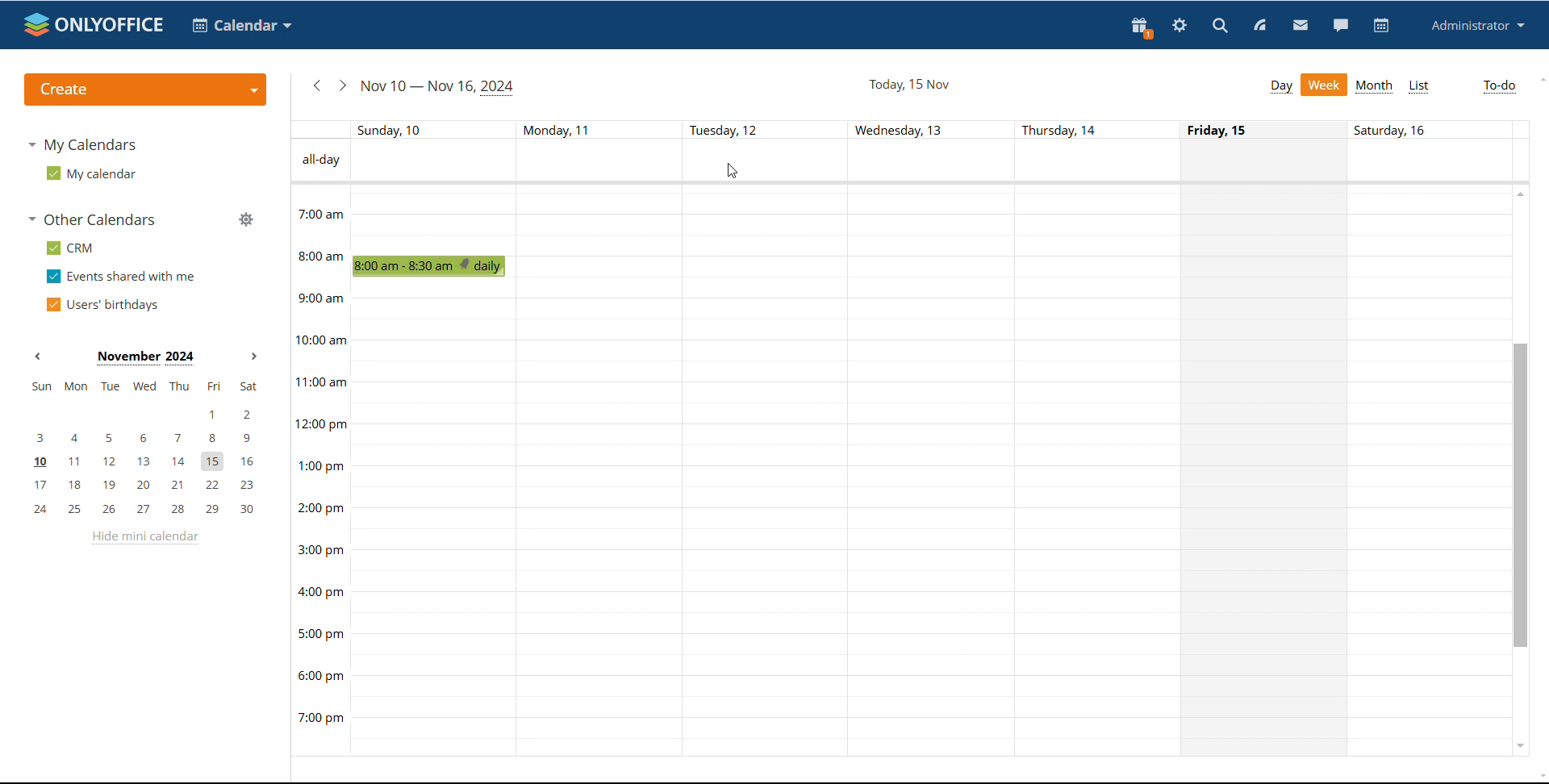 Image resolution: width=1549 pixels, height=784 pixels. Describe the element at coordinates (731, 171) in the screenshot. I see `cursor` at that location.